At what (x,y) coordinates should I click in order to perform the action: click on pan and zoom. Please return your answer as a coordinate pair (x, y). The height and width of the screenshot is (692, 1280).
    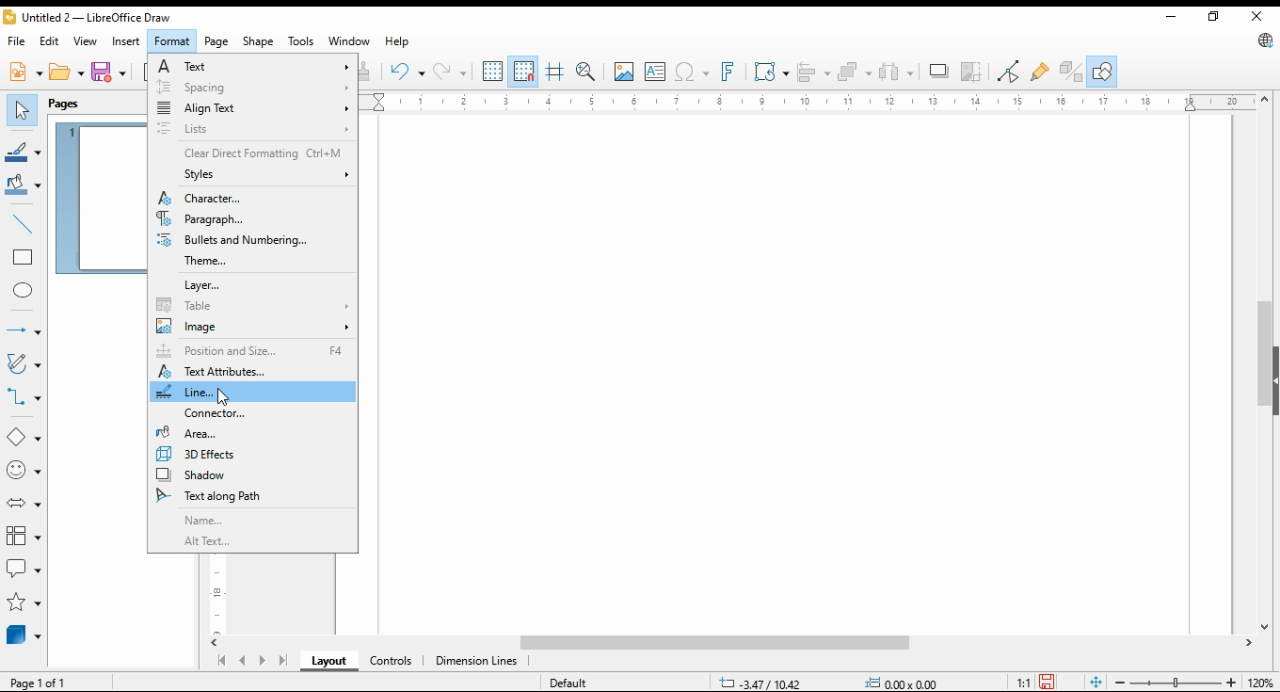
    Looking at the image, I should click on (587, 72).